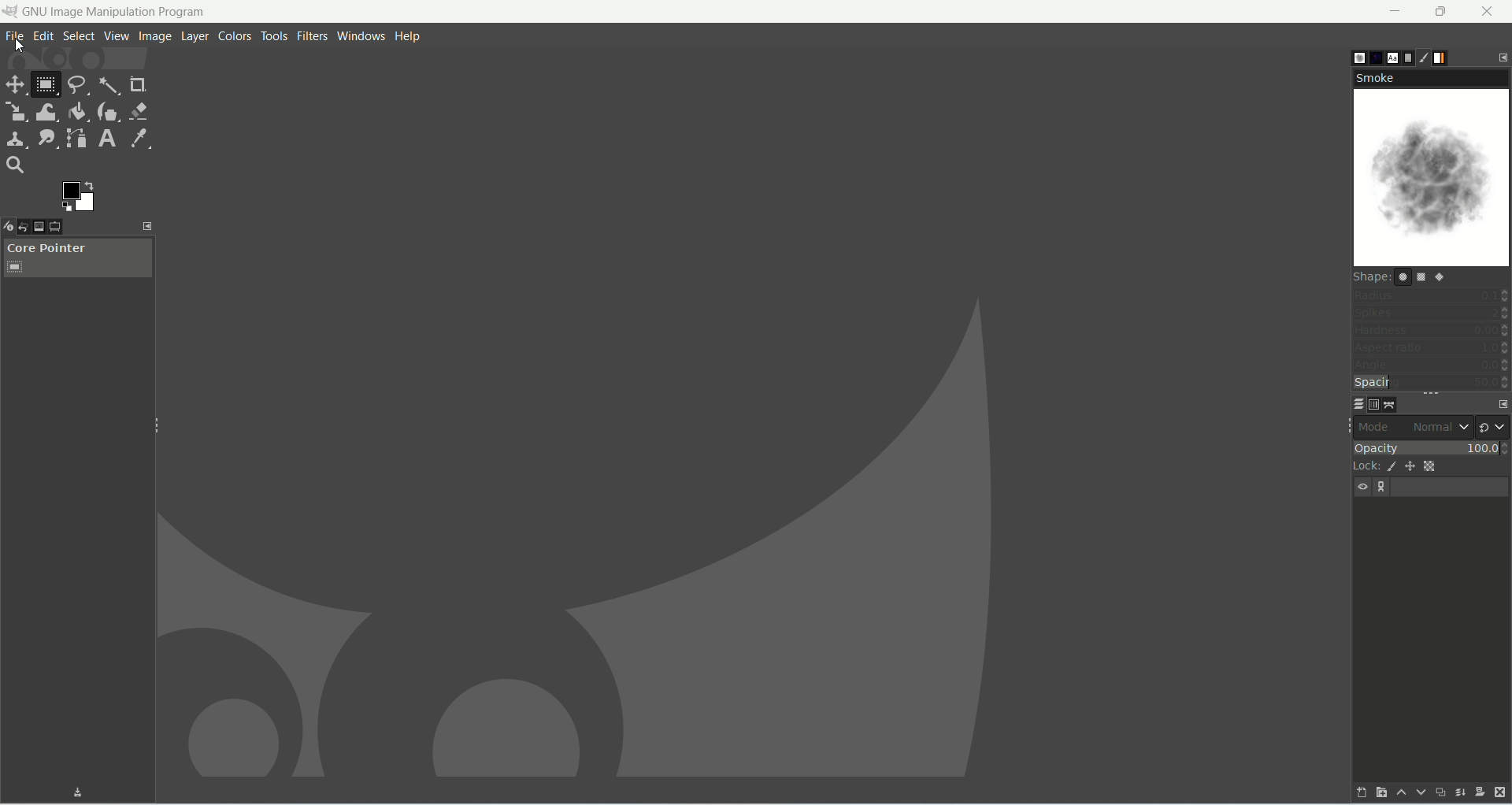 This screenshot has width=1512, height=805. What do you see at coordinates (135, 84) in the screenshot?
I see `crop tool` at bounding box center [135, 84].